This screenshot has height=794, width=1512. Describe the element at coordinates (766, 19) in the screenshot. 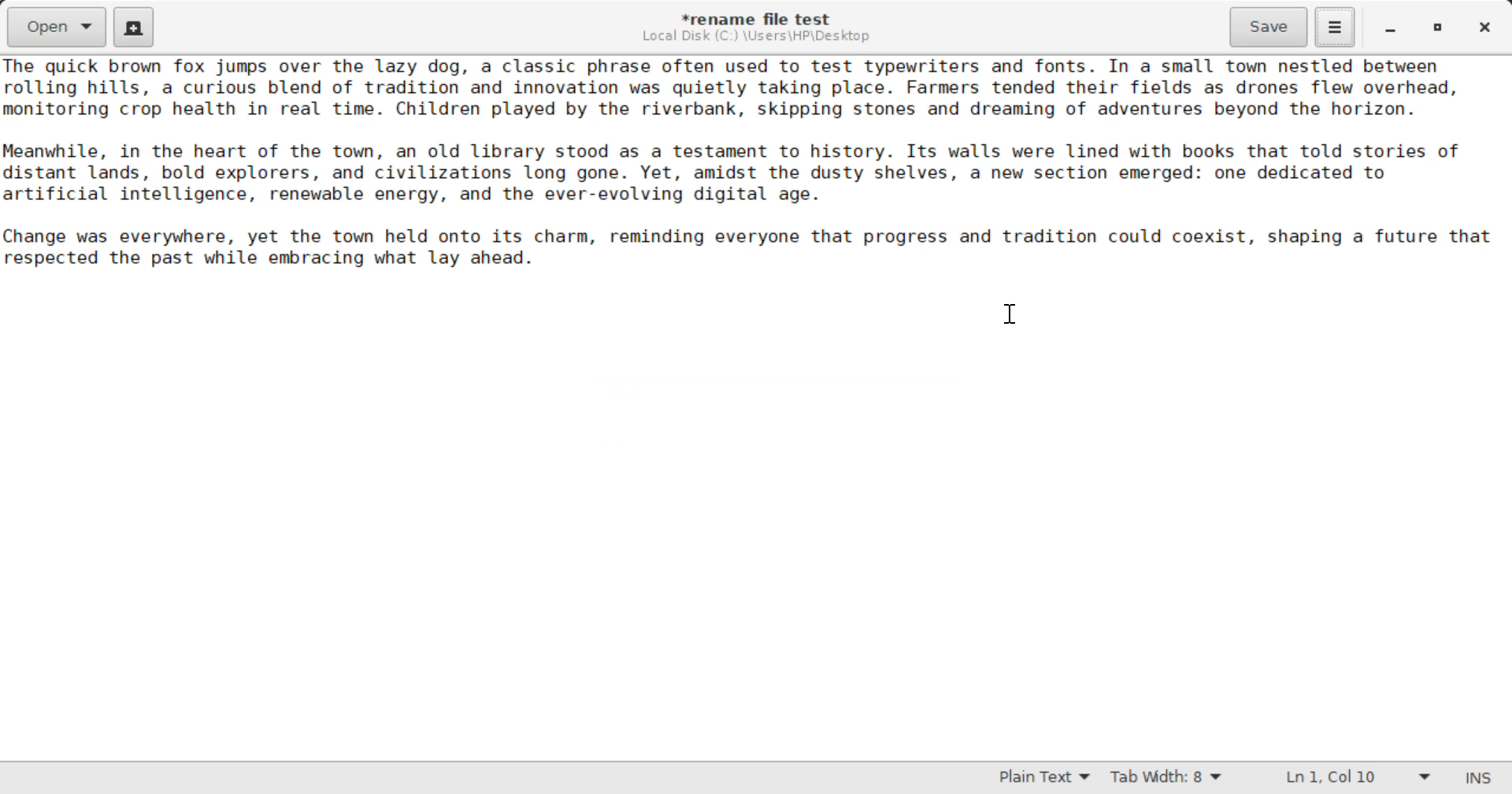

I see `*rename file test` at that location.